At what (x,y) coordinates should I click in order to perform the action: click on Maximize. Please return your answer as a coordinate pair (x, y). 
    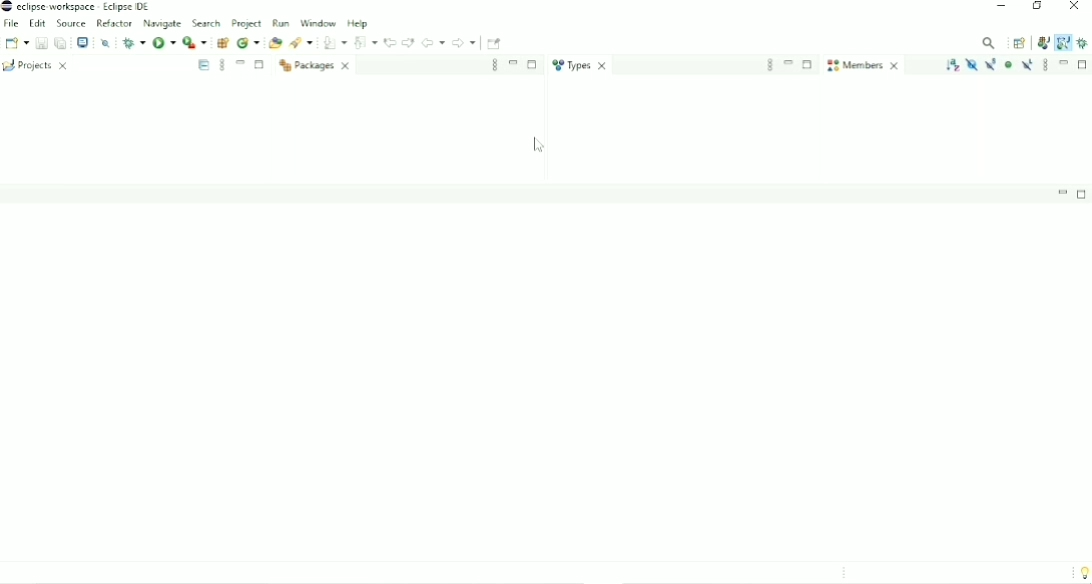
    Looking at the image, I should click on (1083, 65).